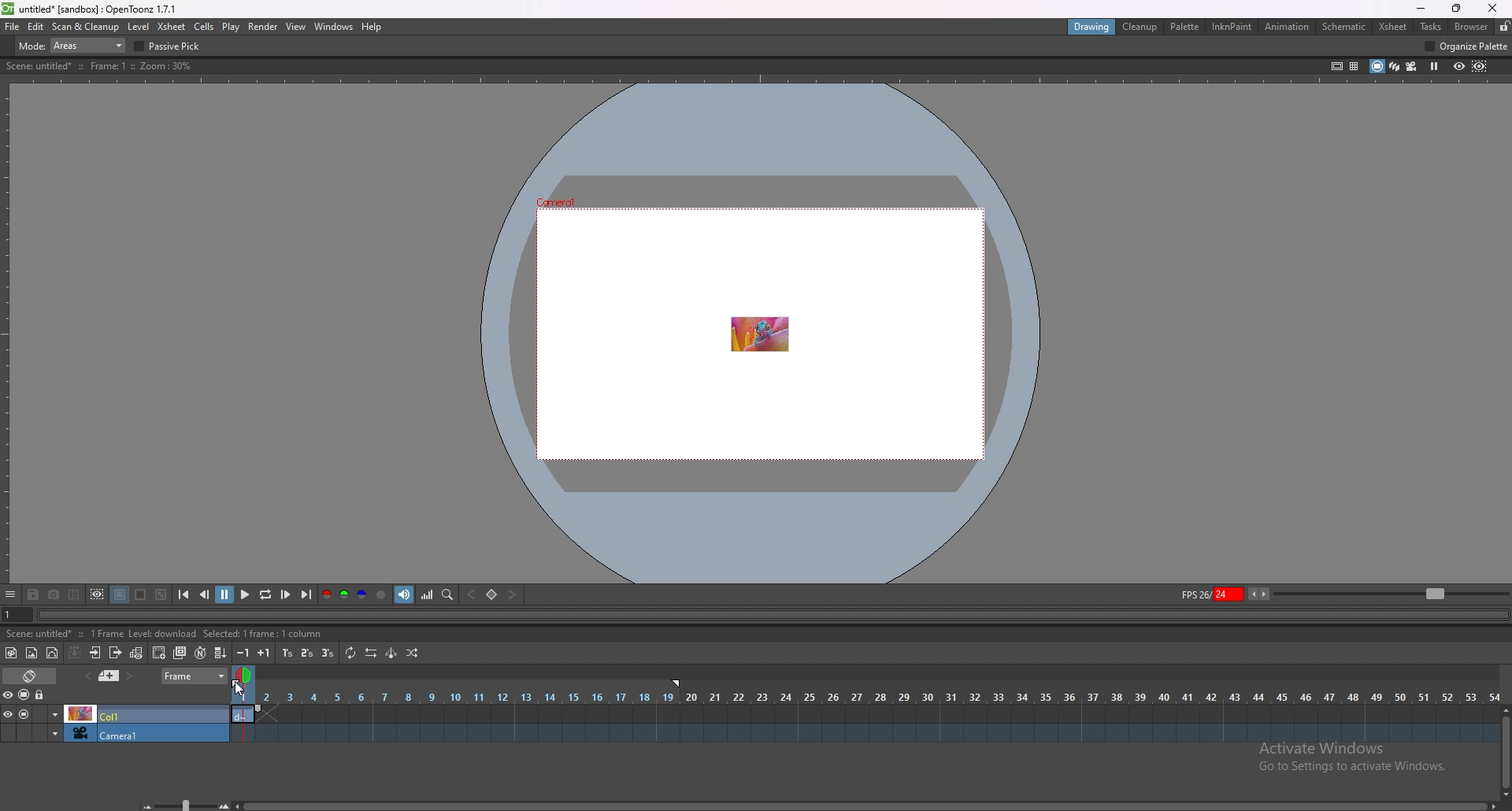  I want to click on pause, so click(226, 593).